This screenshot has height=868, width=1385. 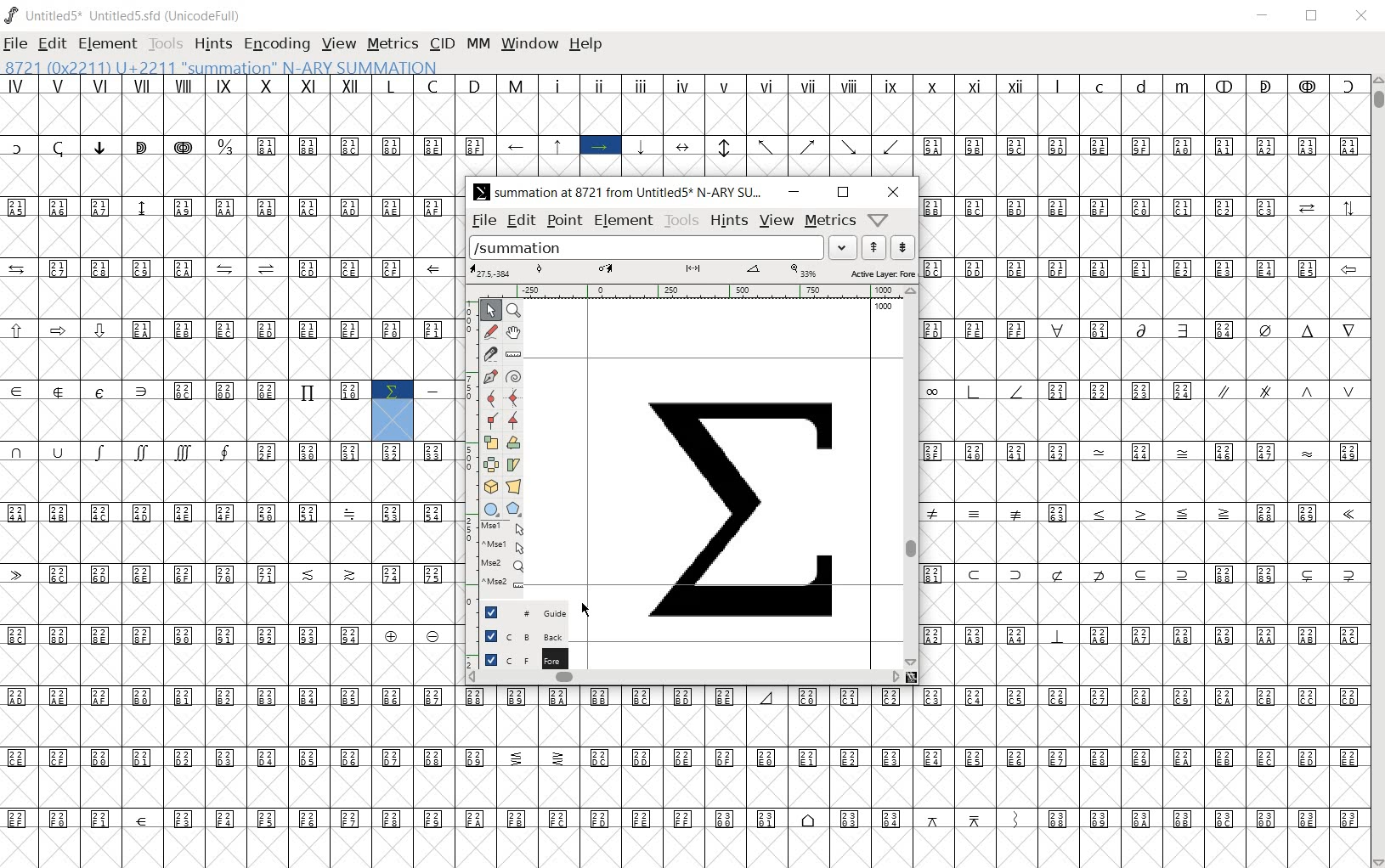 I want to click on Untitled5* Untitled5.sfd (UnicodeFull), so click(x=127, y=15).